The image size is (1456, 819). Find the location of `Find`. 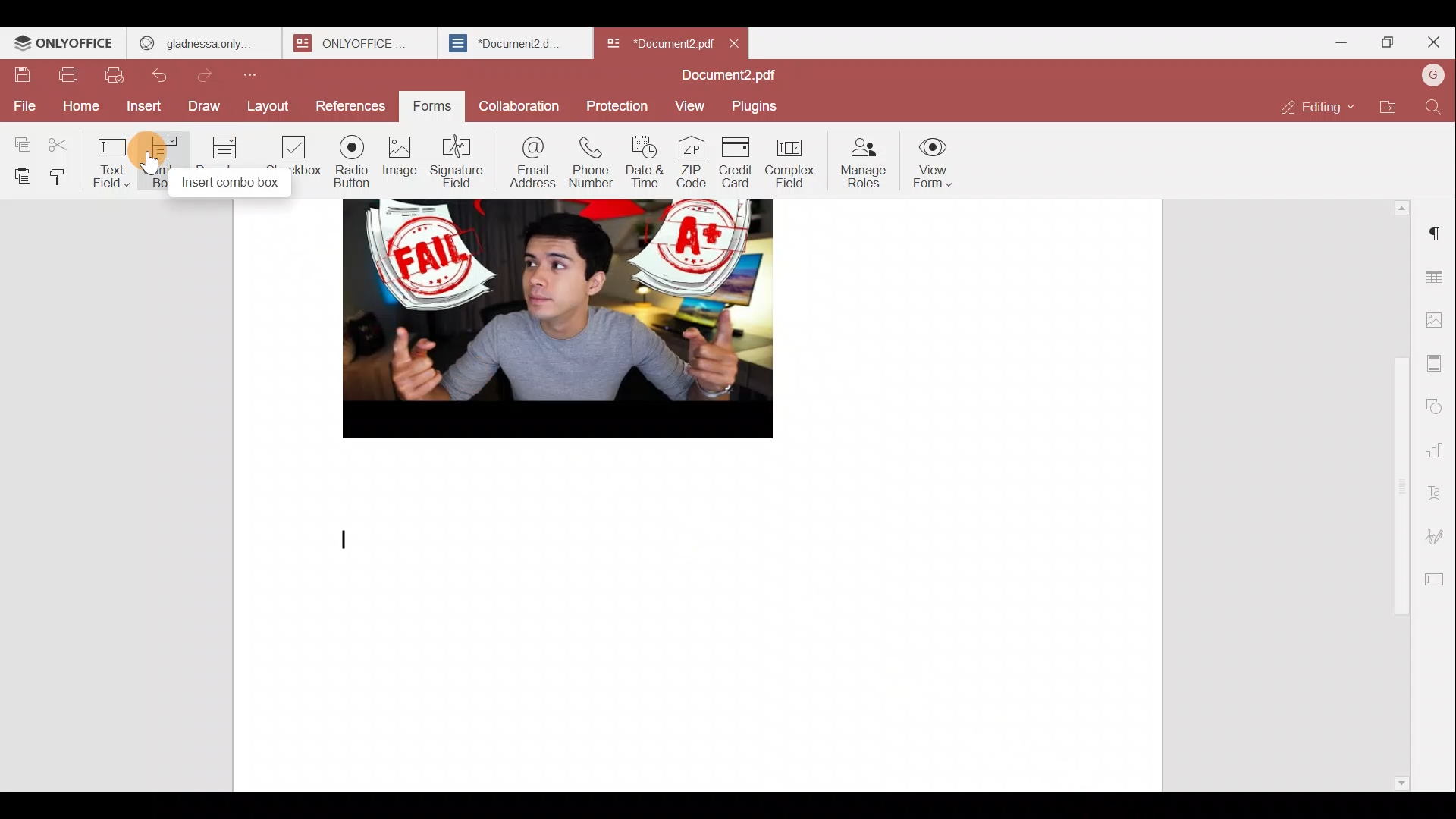

Find is located at coordinates (1433, 110).